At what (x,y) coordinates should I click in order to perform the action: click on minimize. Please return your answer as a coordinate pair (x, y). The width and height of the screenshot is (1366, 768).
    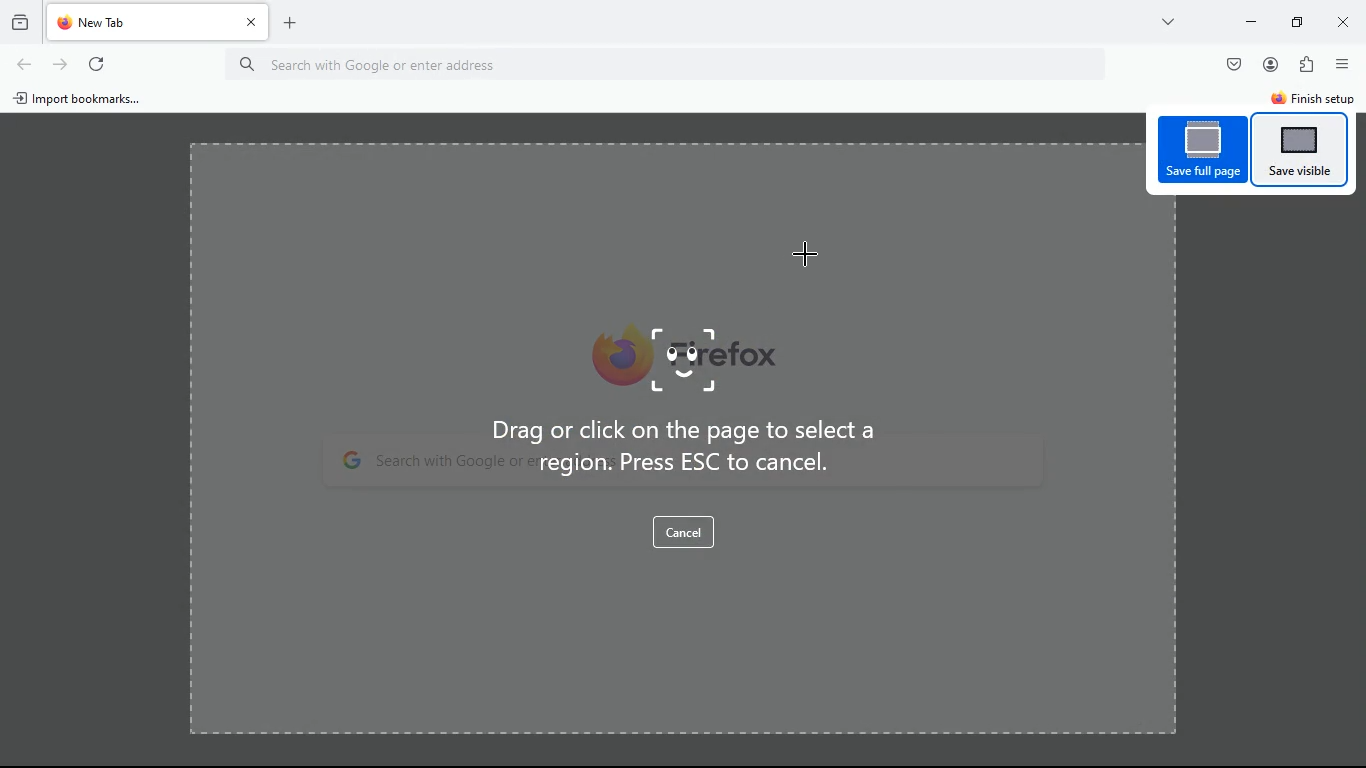
    Looking at the image, I should click on (1248, 22).